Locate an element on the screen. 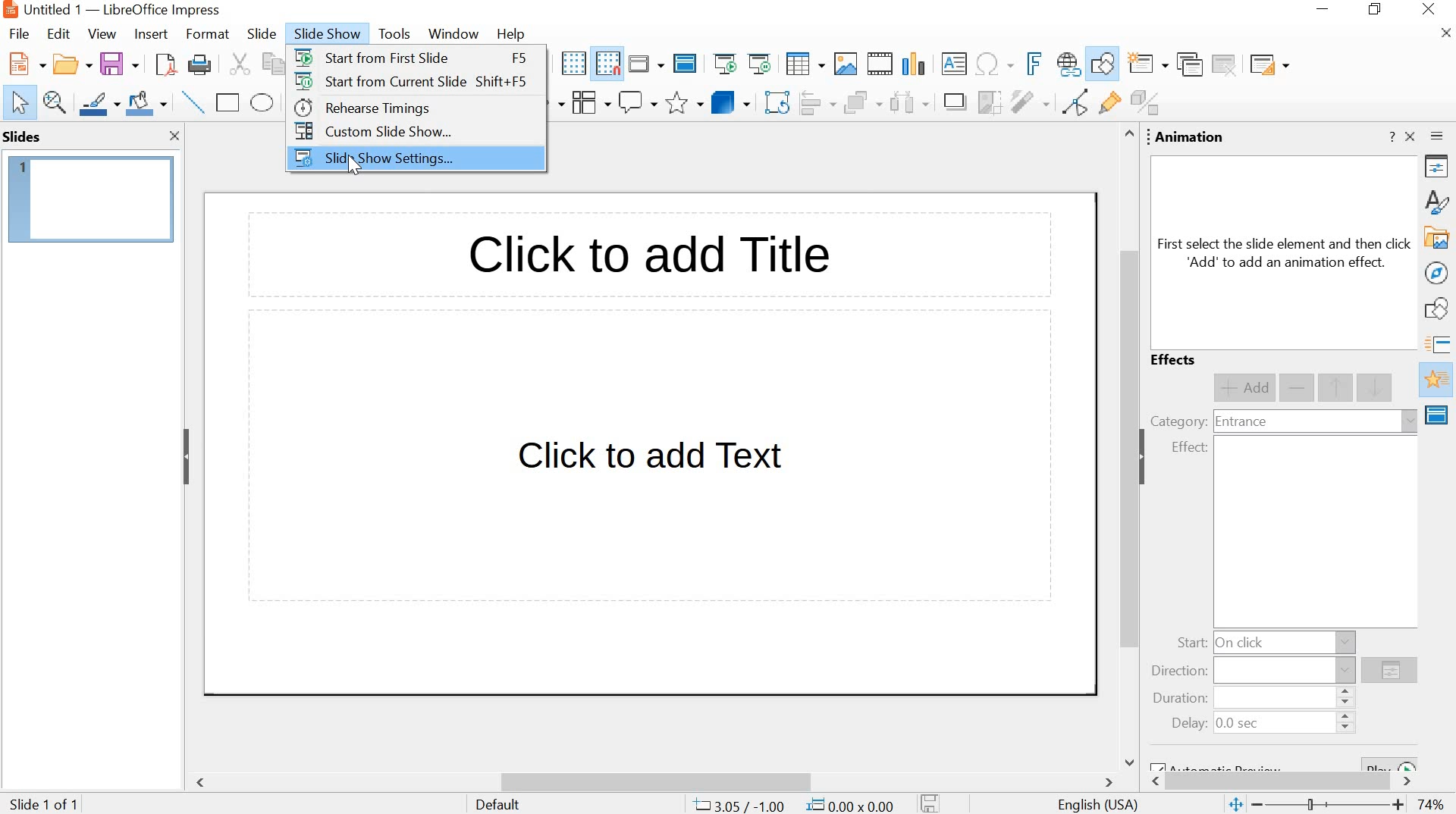 This screenshot has height=814, width=1456. 0.0 sec is located at coordinates (1239, 725).